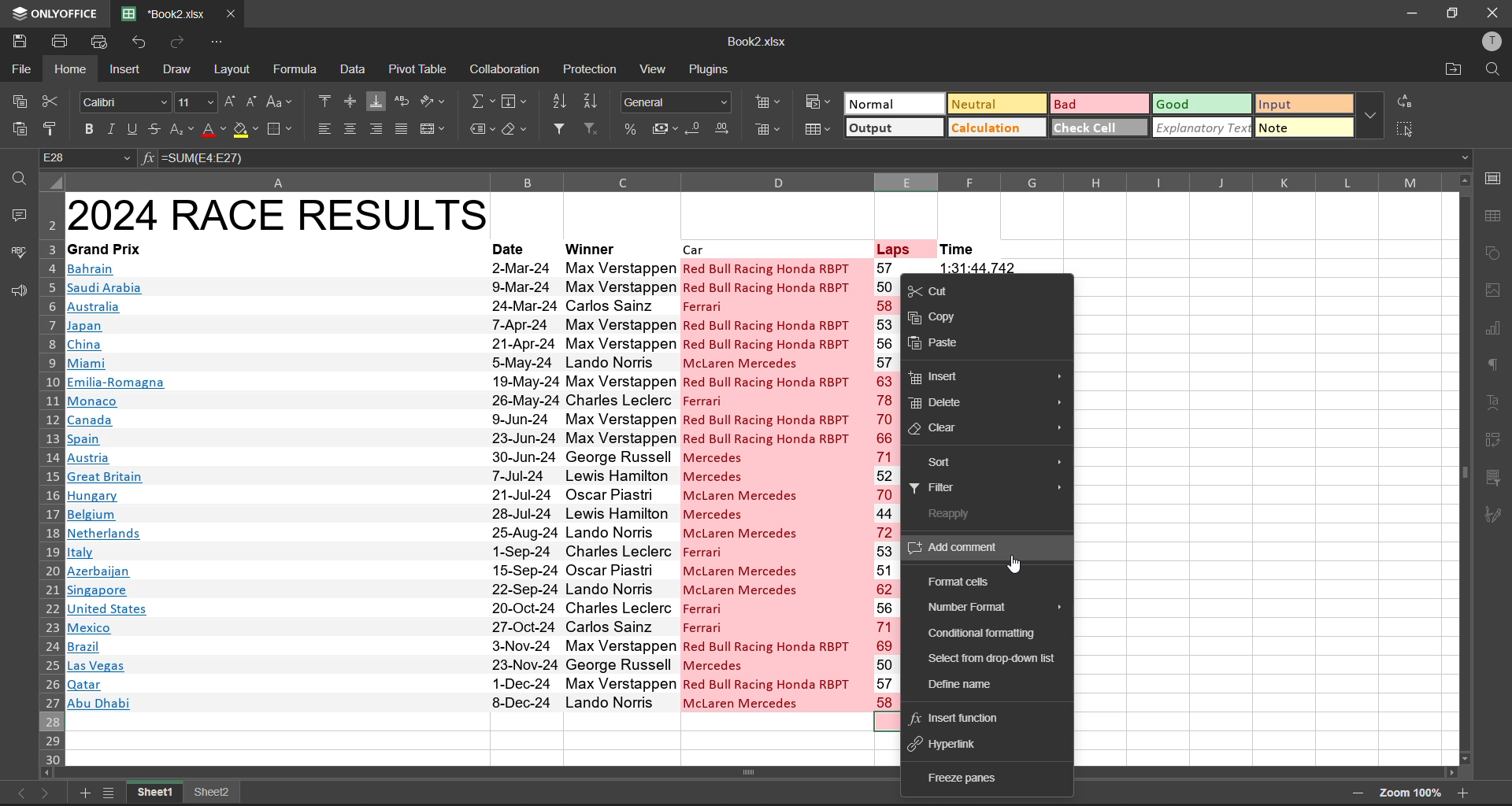 The width and height of the screenshot is (1512, 806). What do you see at coordinates (523, 484) in the screenshot?
I see `date` at bounding box center [523, 484].